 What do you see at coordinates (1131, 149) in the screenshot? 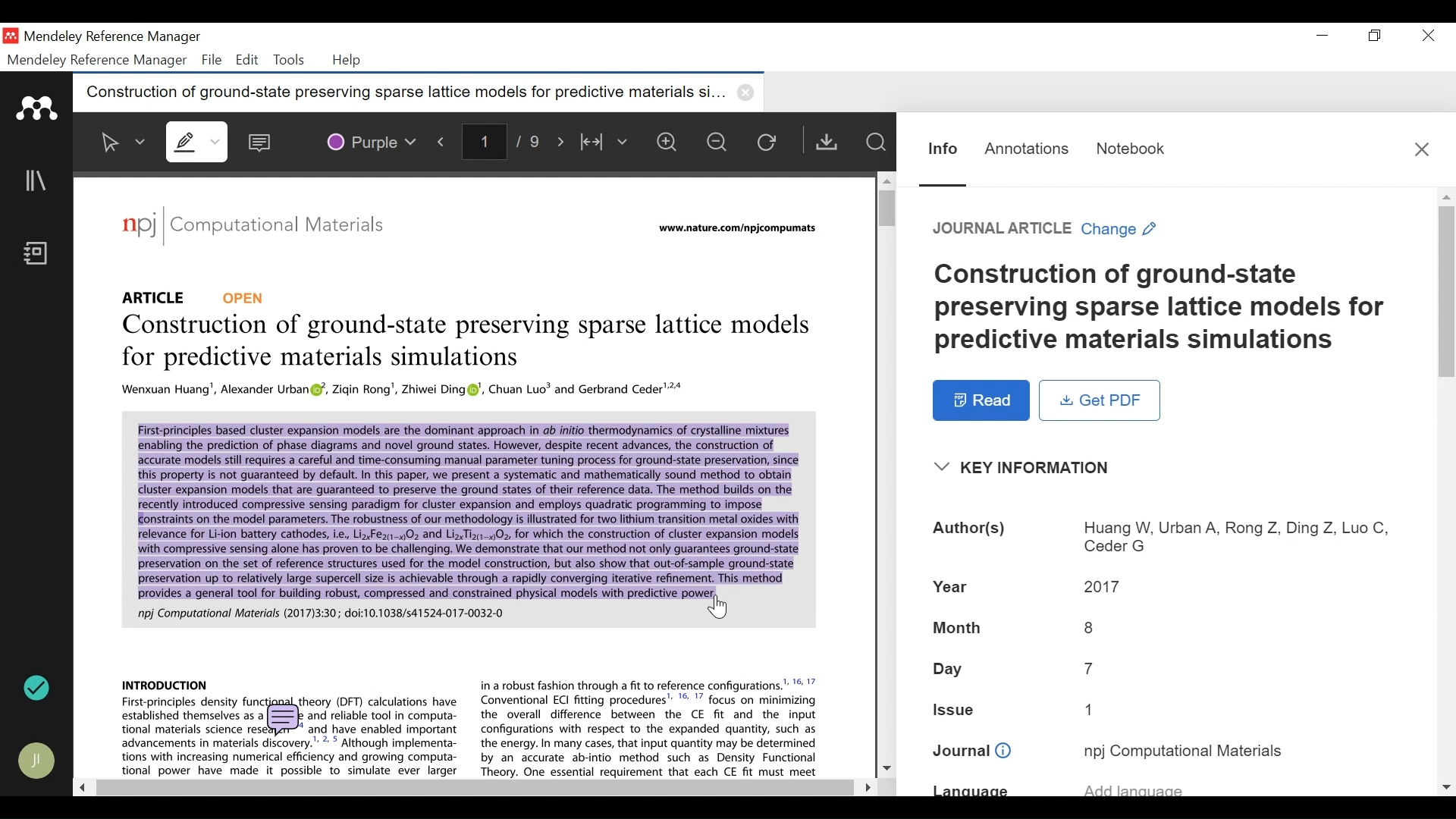
I see `Notebook` at bounding box center [1131, 149].